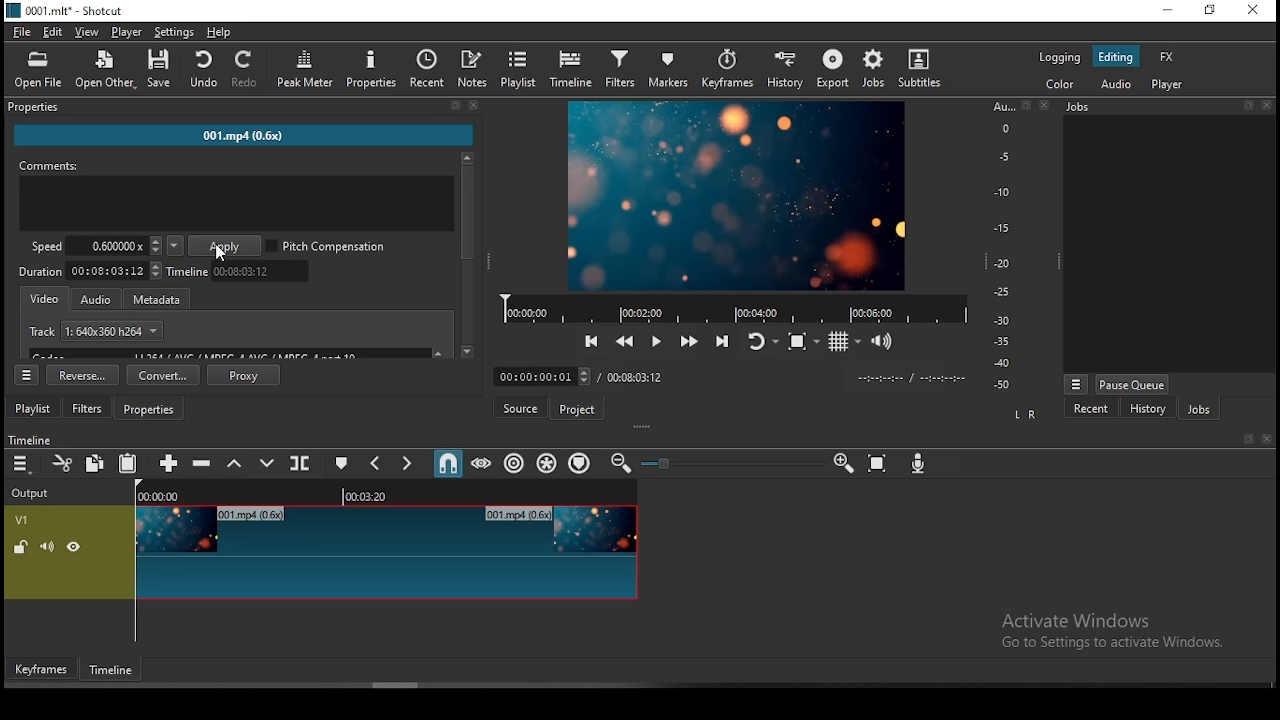 The height and width of the screenshot is (720, 1280). Describe the element at coordinates (483, 465) in the screenshot. I see `scrub while dragging` at that location.